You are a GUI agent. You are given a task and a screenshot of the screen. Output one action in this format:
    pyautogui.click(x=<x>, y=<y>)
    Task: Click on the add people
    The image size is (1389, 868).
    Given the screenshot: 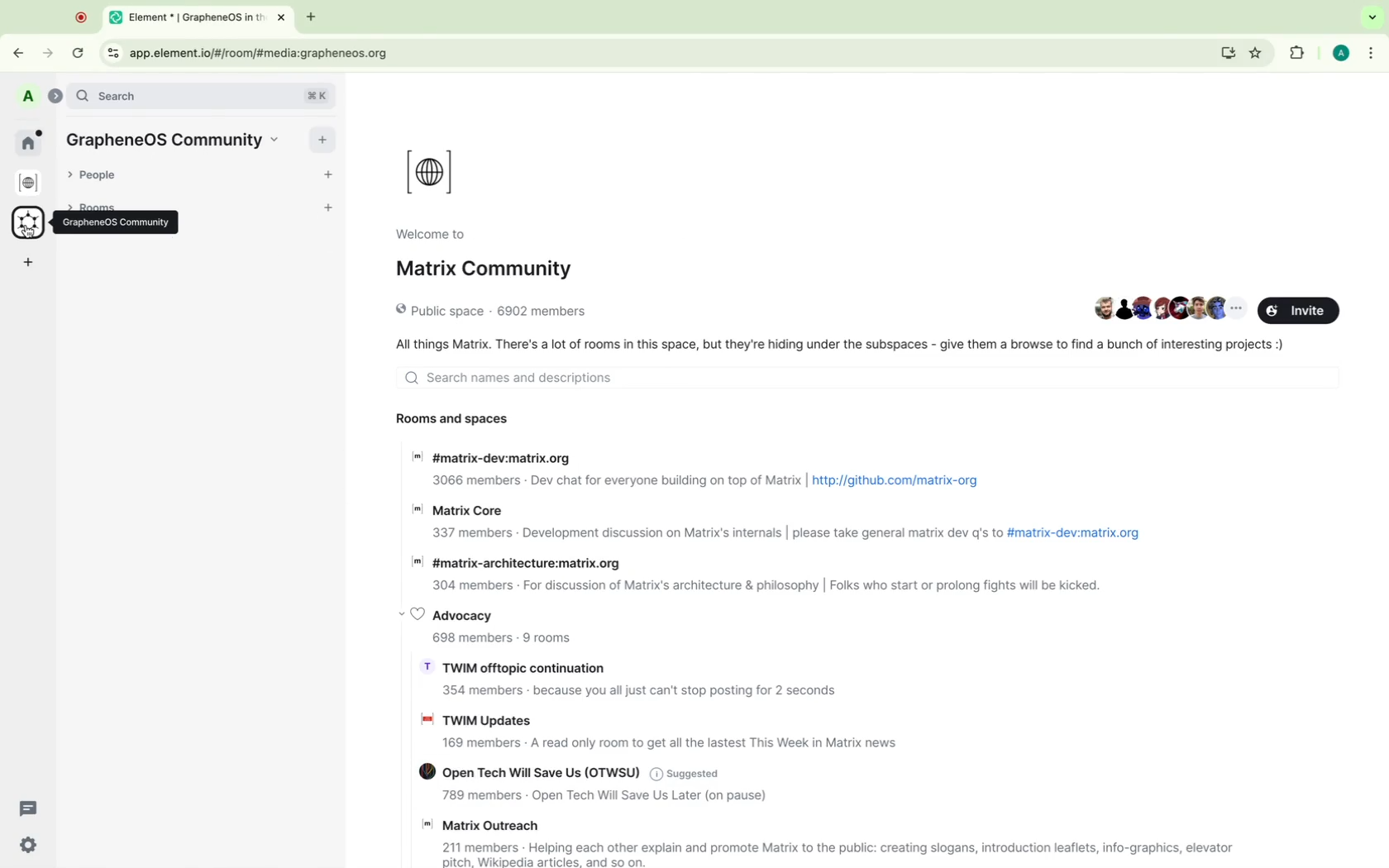 What is the action you would take?
    pyautogui.click(x=327, y=176)
    